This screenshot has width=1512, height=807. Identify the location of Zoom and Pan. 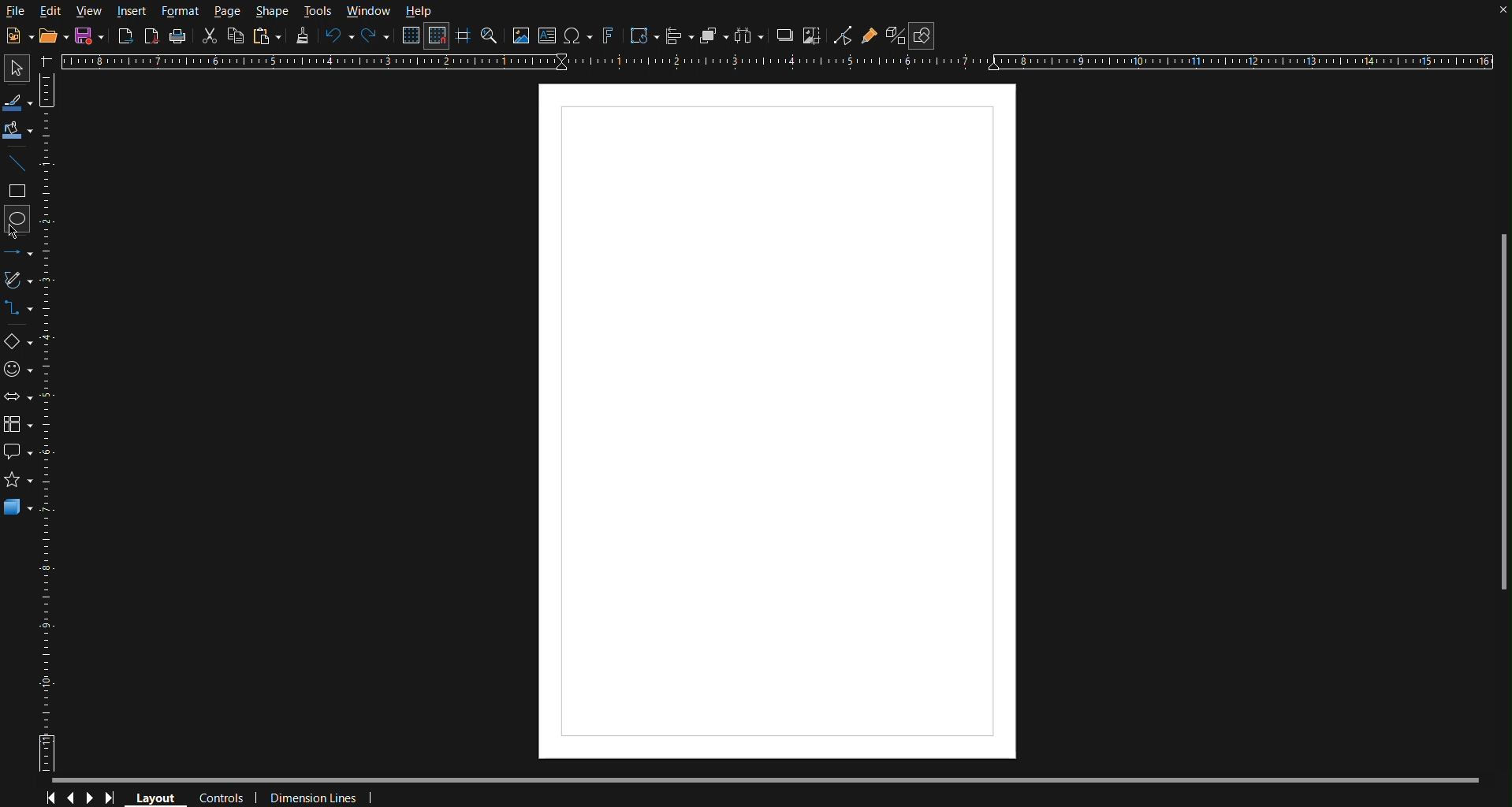
(490, 38).